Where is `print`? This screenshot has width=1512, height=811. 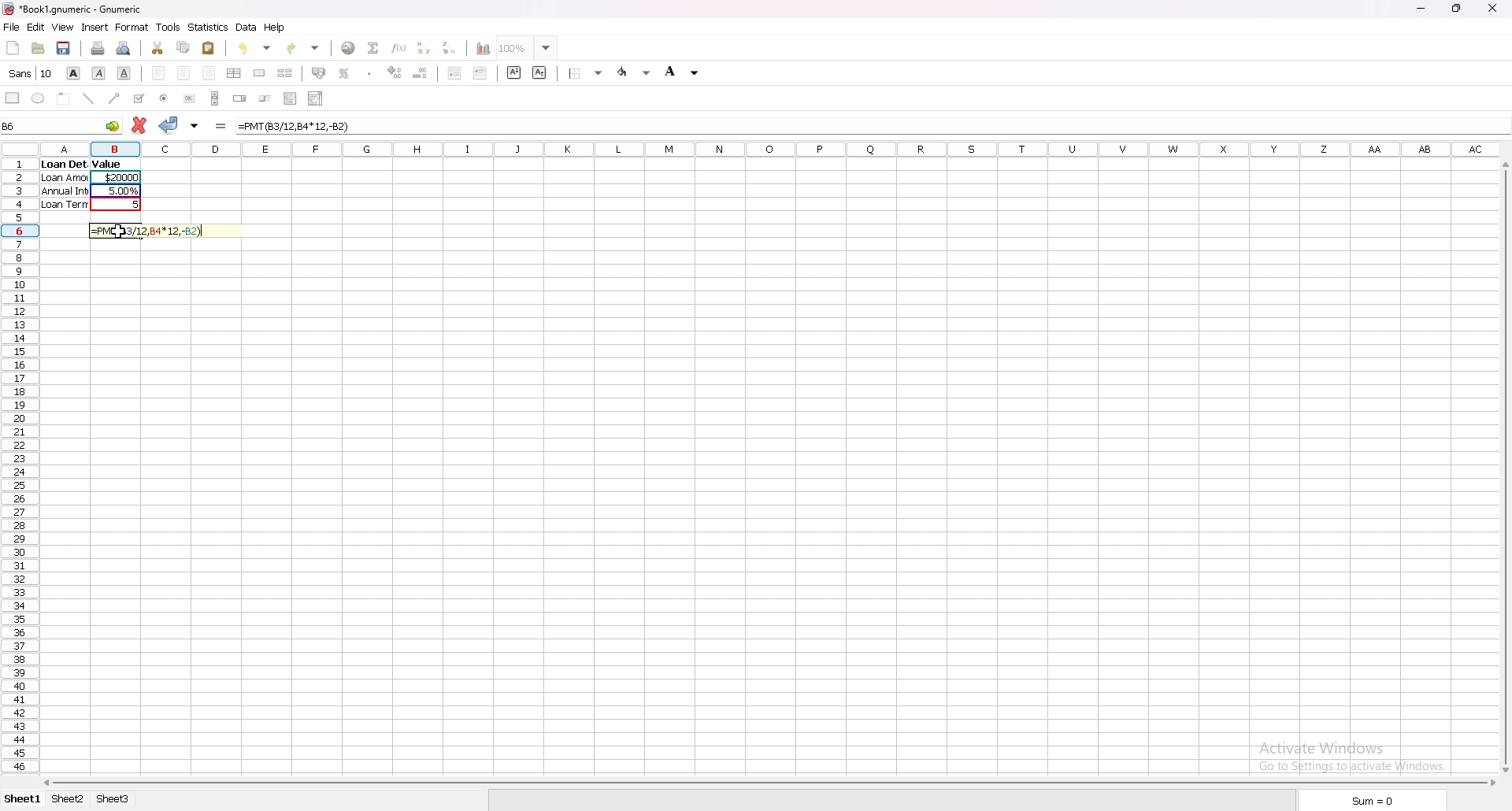
print is located at coordinates (99, 47).